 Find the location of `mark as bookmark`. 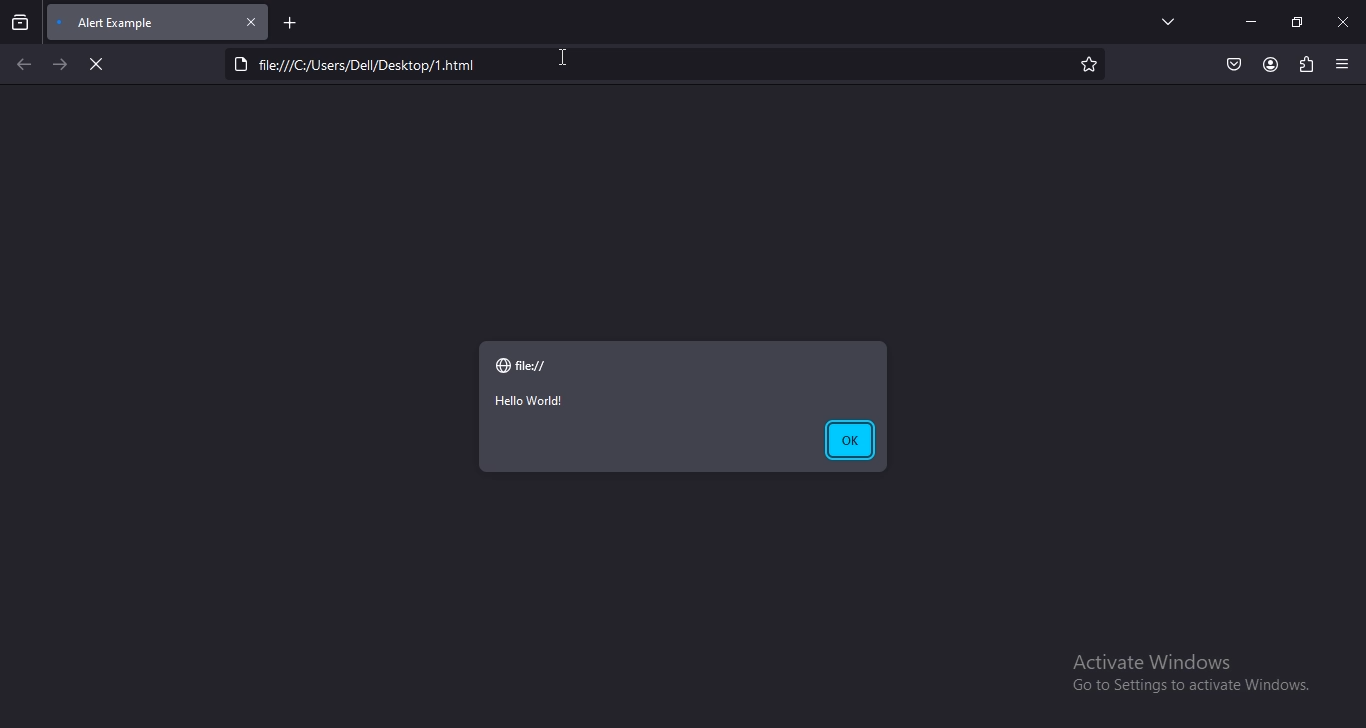

mark as bookmark is located at coordinates (1091, 66).